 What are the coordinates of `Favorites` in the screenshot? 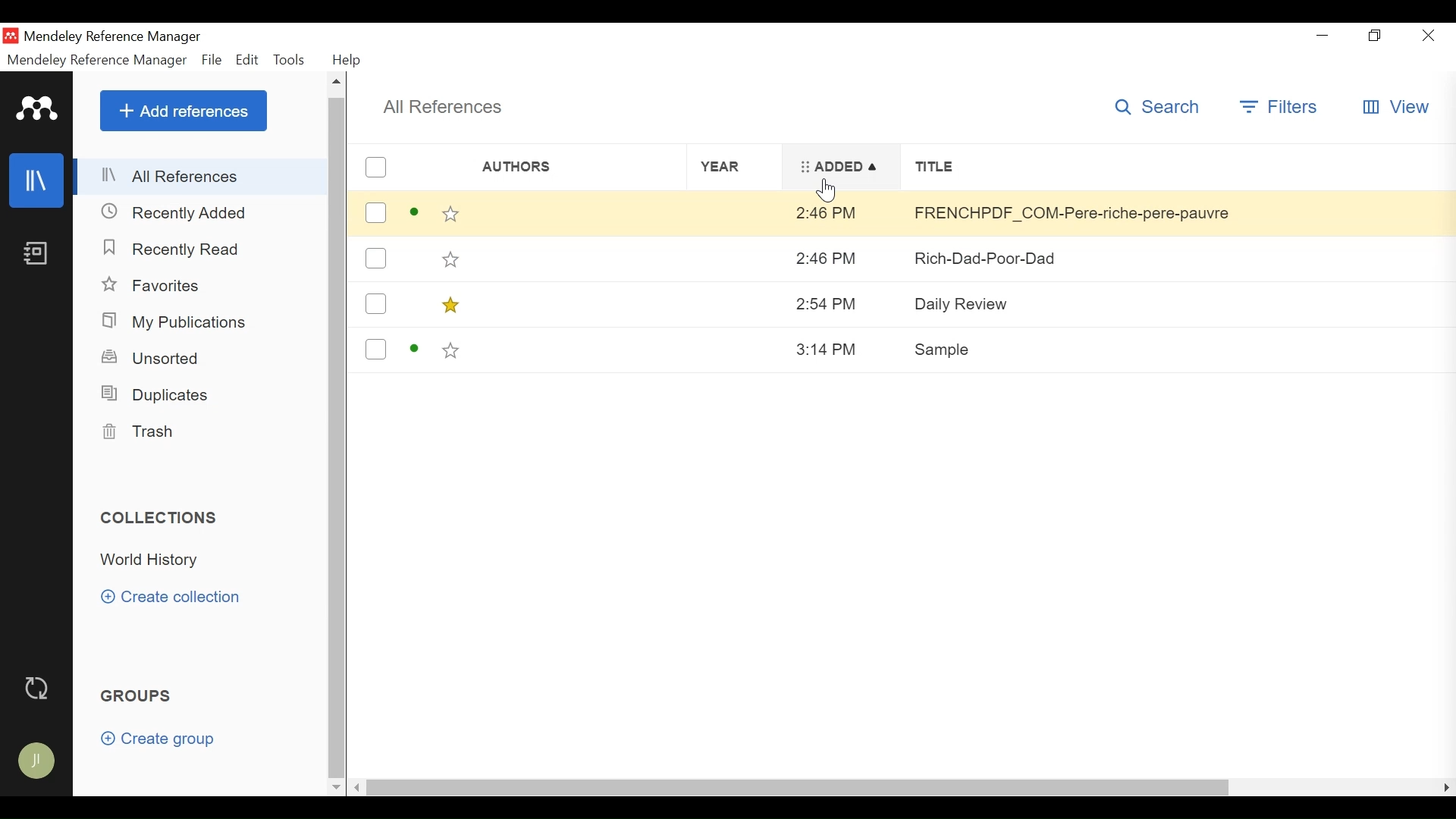 It's located at (154, 287).